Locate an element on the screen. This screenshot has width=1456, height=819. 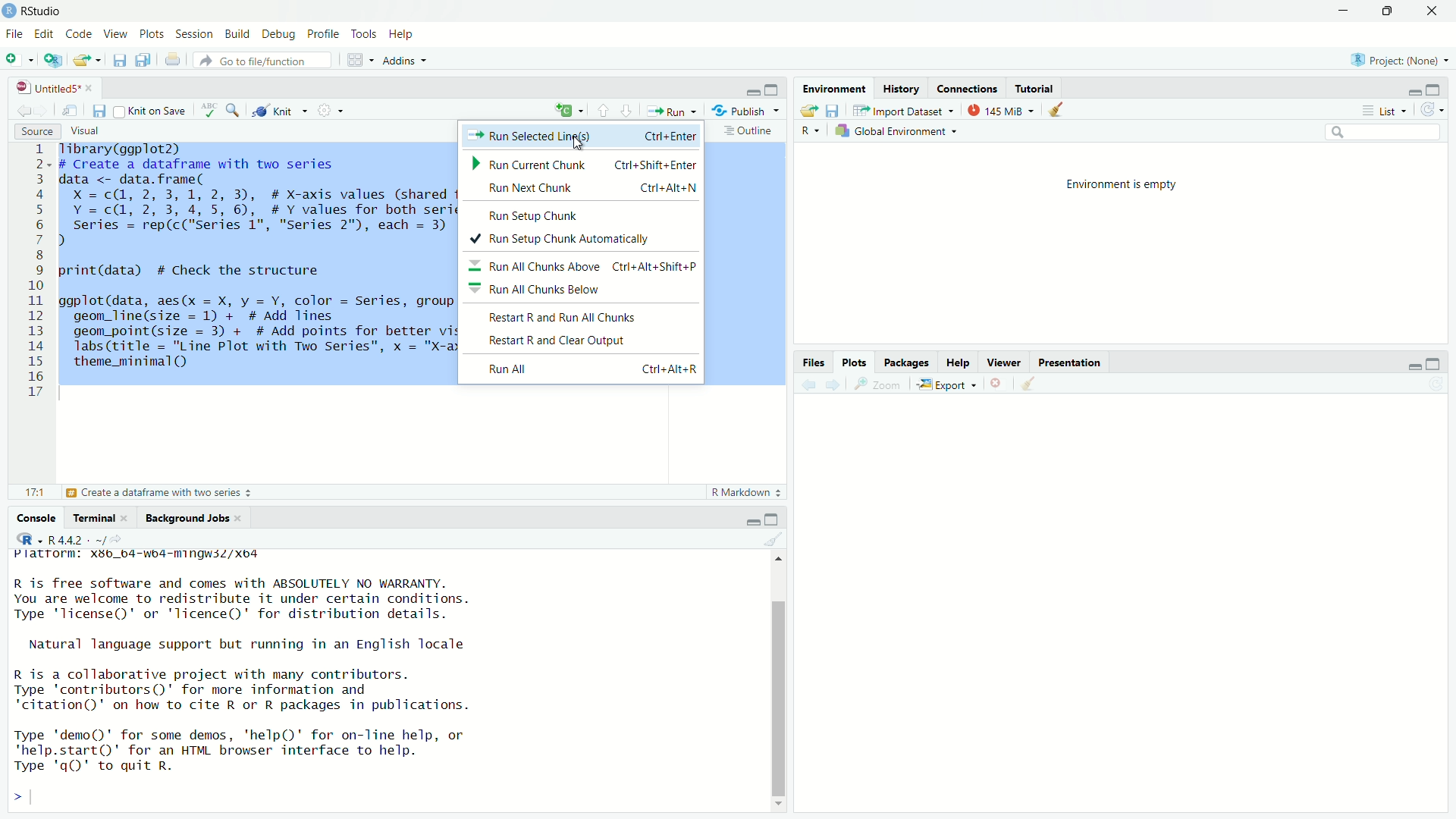
Import Dataset is located at coordinates (905, 111).